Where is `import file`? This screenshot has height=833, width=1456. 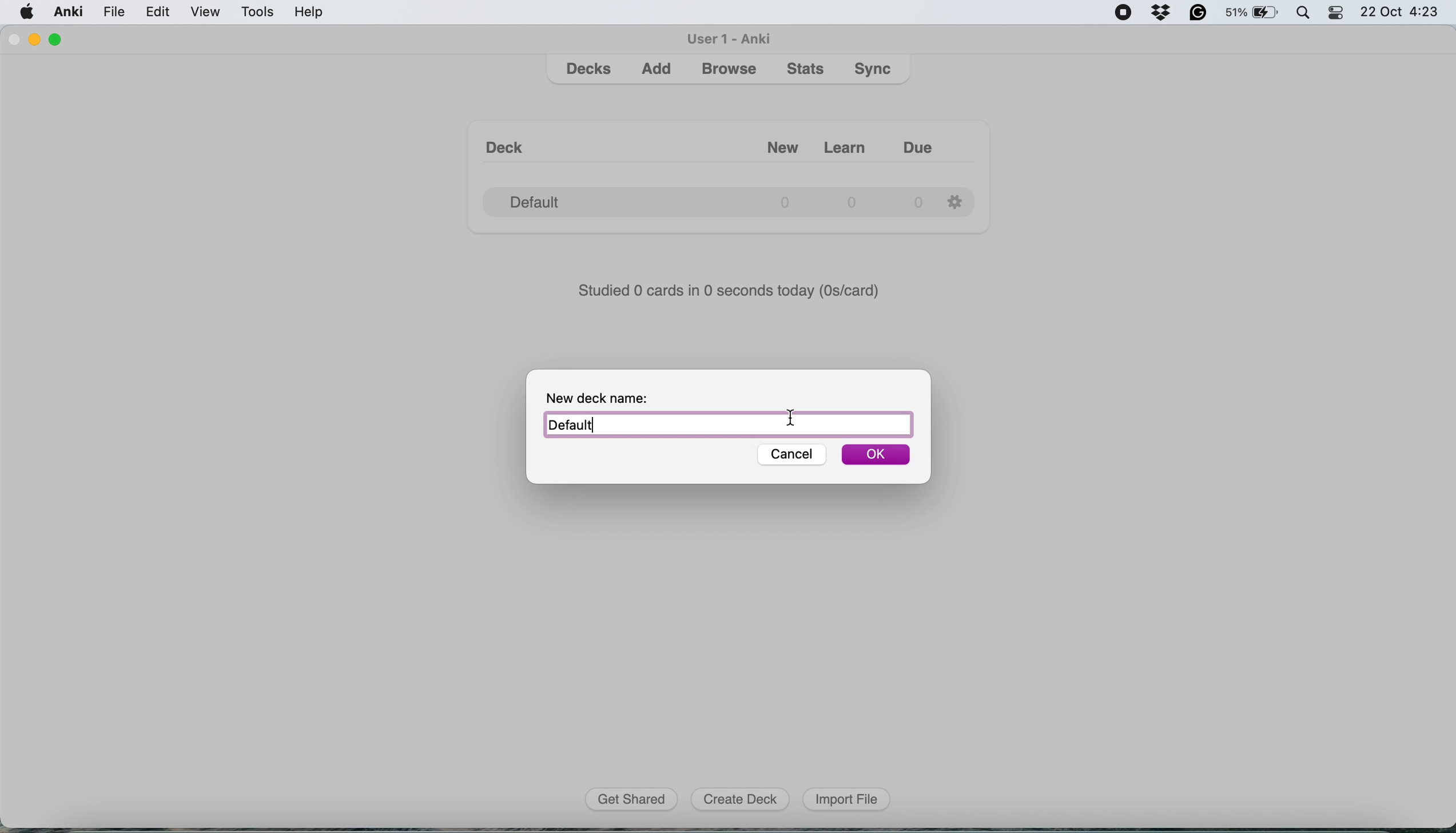 import file is located at coordinates (847, 799).